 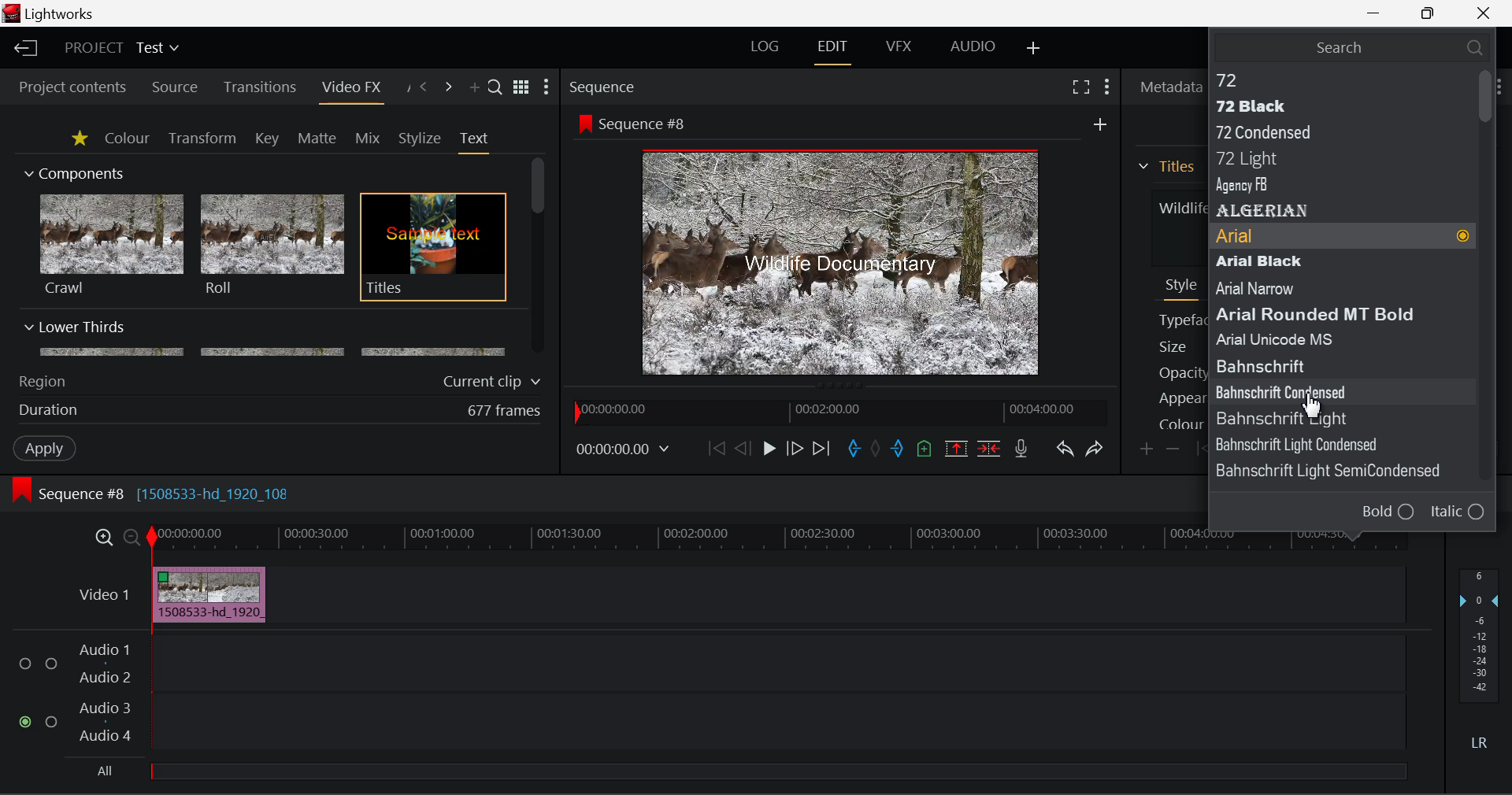 I want to click on Region, so click(x=42, y=382).